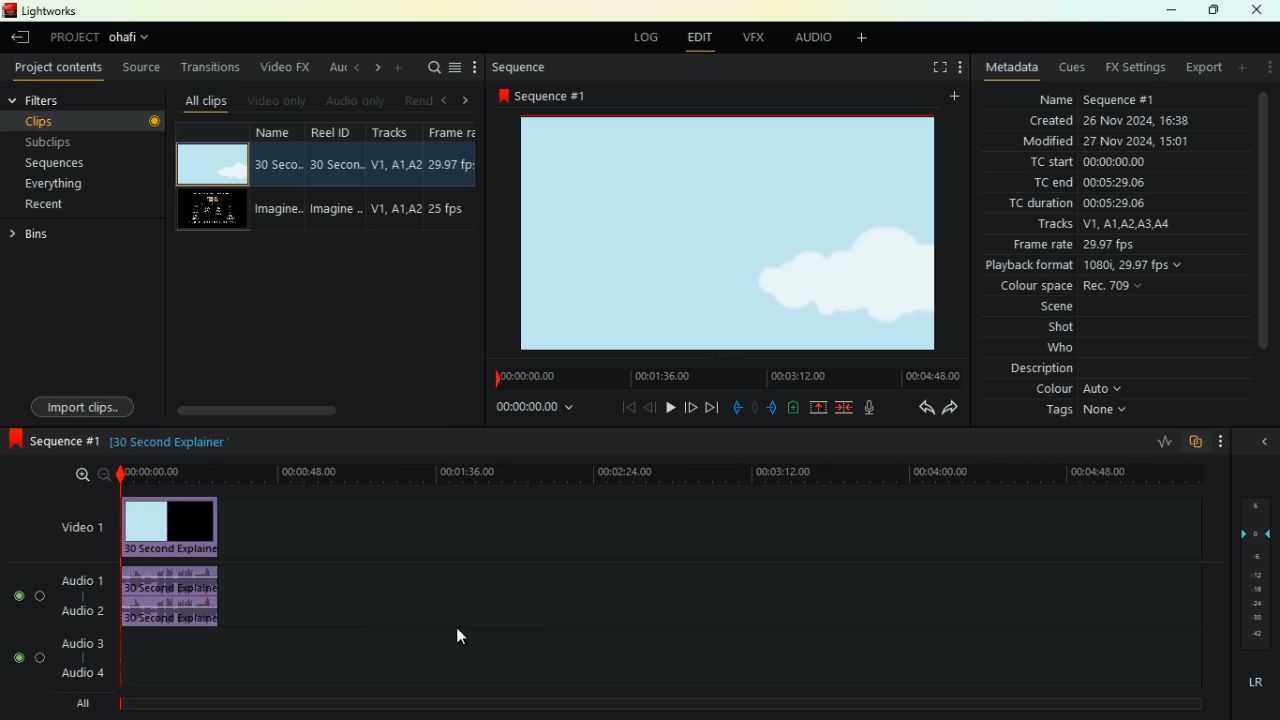  I want to click on timeline, so click(650, 704).